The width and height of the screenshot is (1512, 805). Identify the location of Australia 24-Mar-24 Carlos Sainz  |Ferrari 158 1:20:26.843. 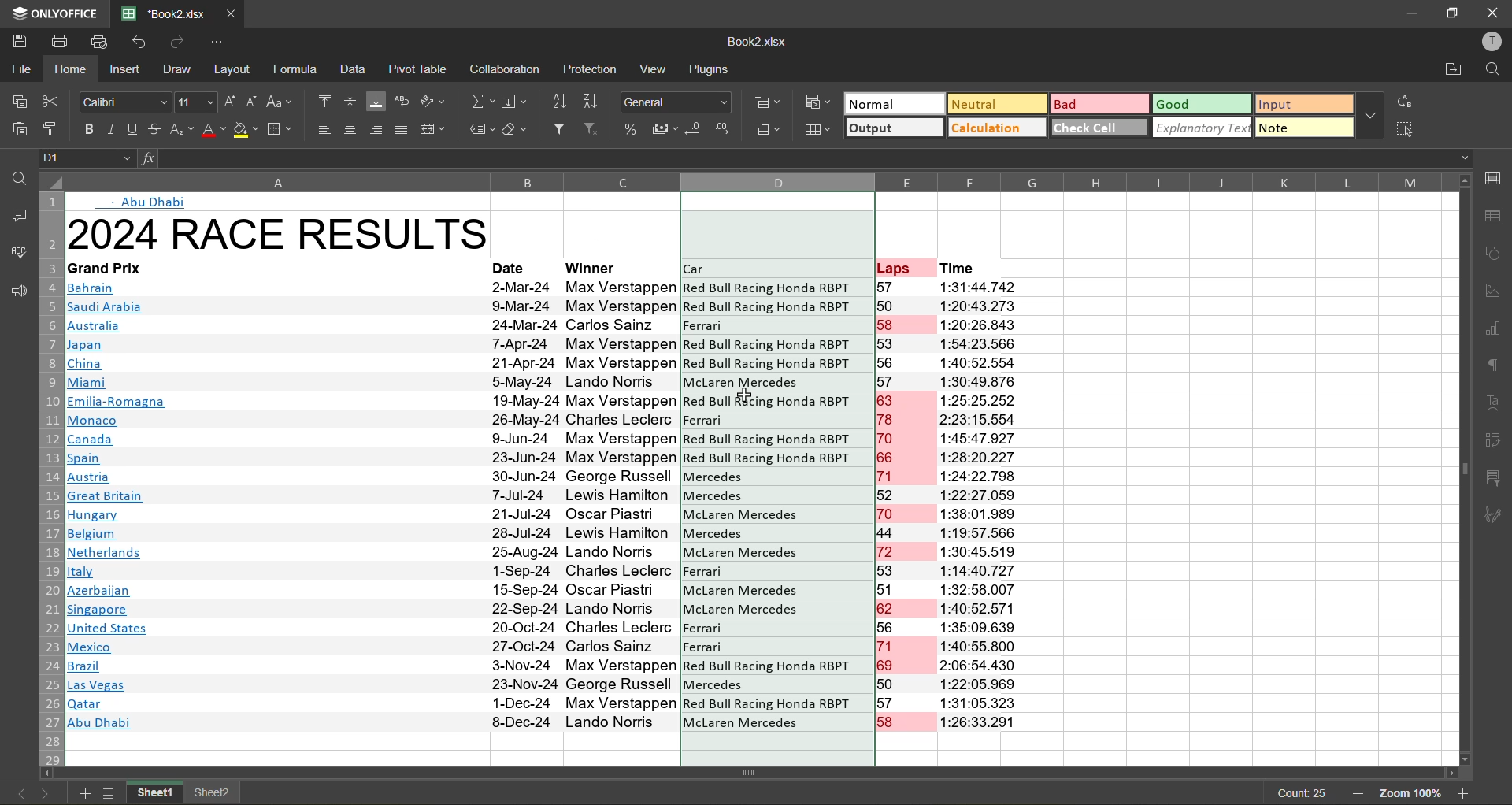
(543, 325).